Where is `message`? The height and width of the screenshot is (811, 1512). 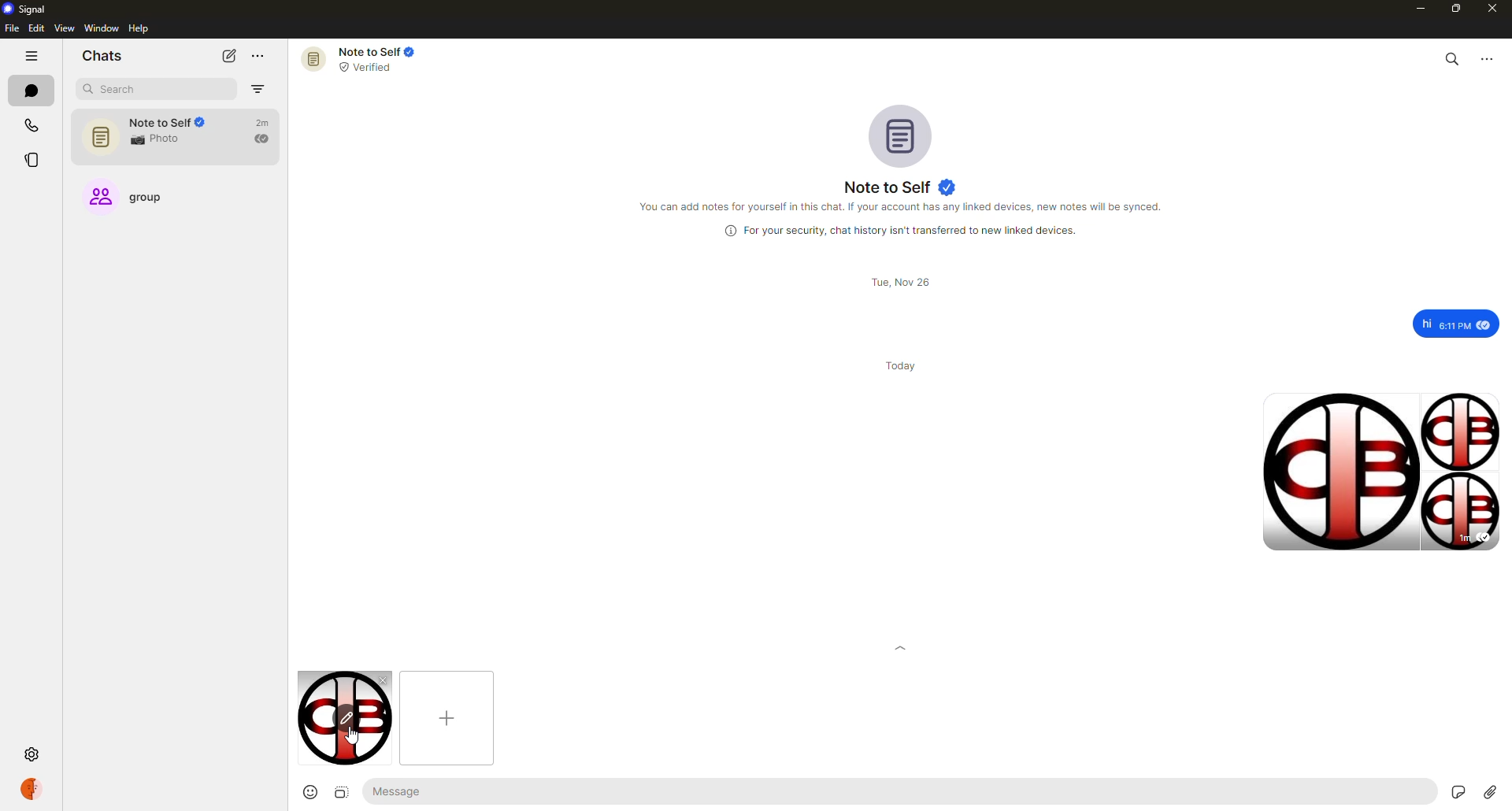
message is located at coordinates (450, 791).